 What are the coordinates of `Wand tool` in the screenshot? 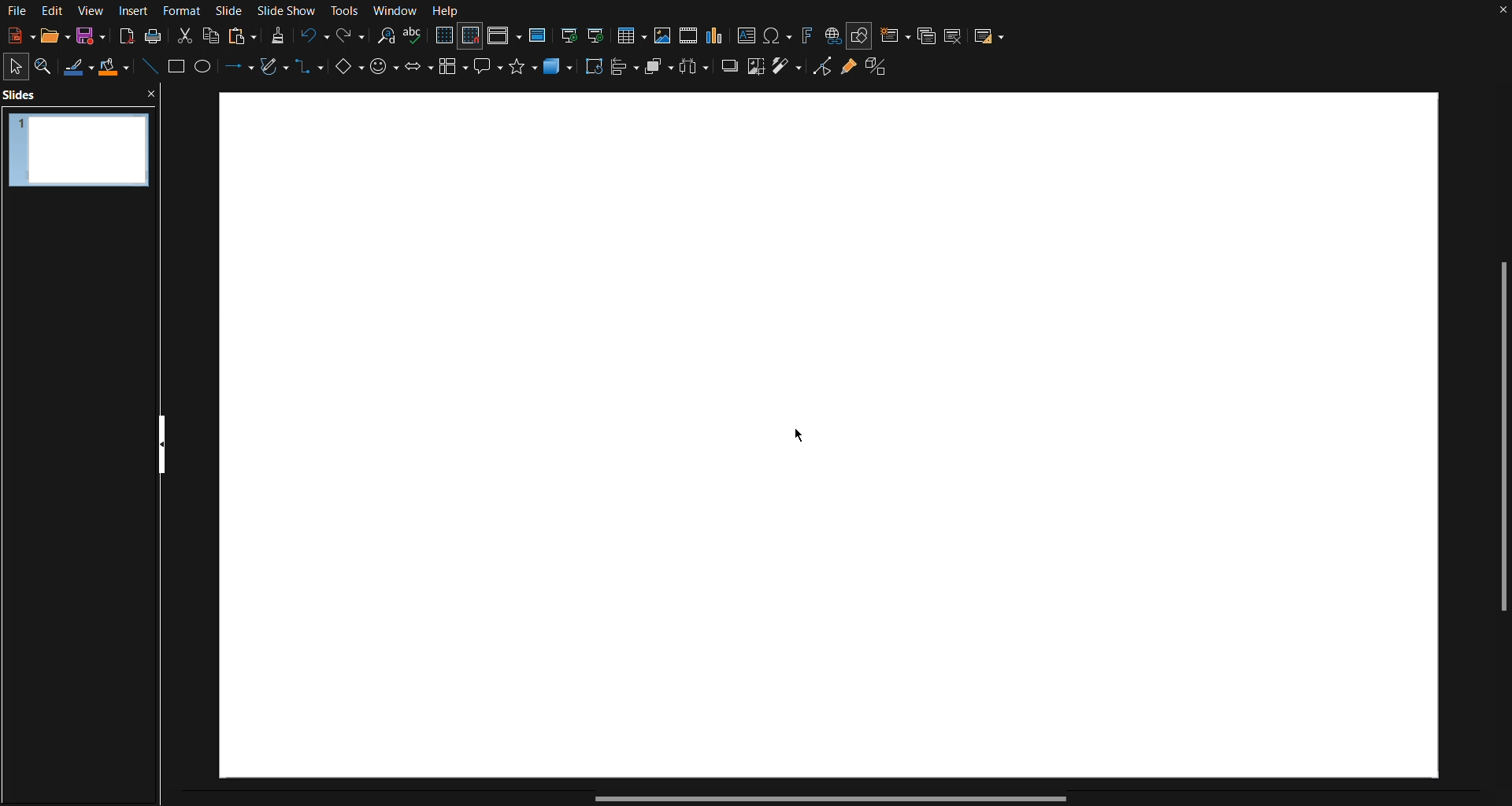 It's located at (787, 72).